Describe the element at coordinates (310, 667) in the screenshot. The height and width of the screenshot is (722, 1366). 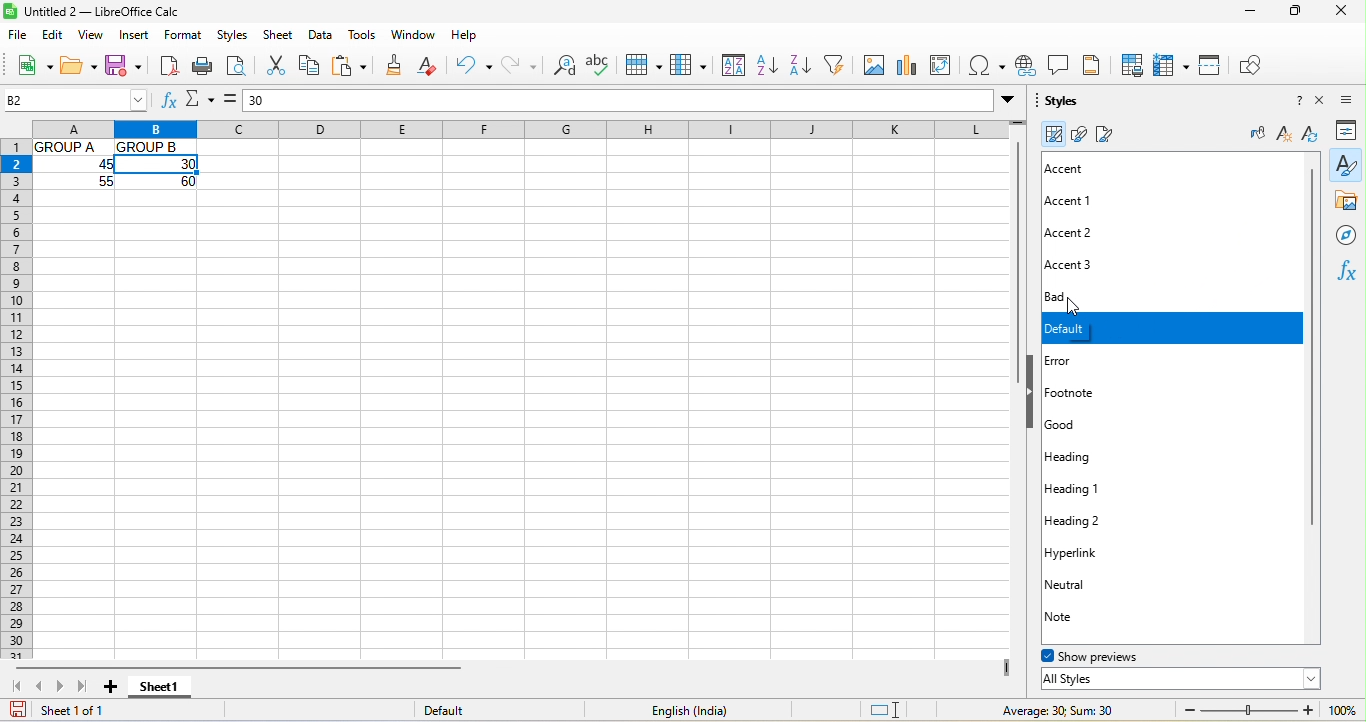
I see `horizontal scroll bar` at that location.